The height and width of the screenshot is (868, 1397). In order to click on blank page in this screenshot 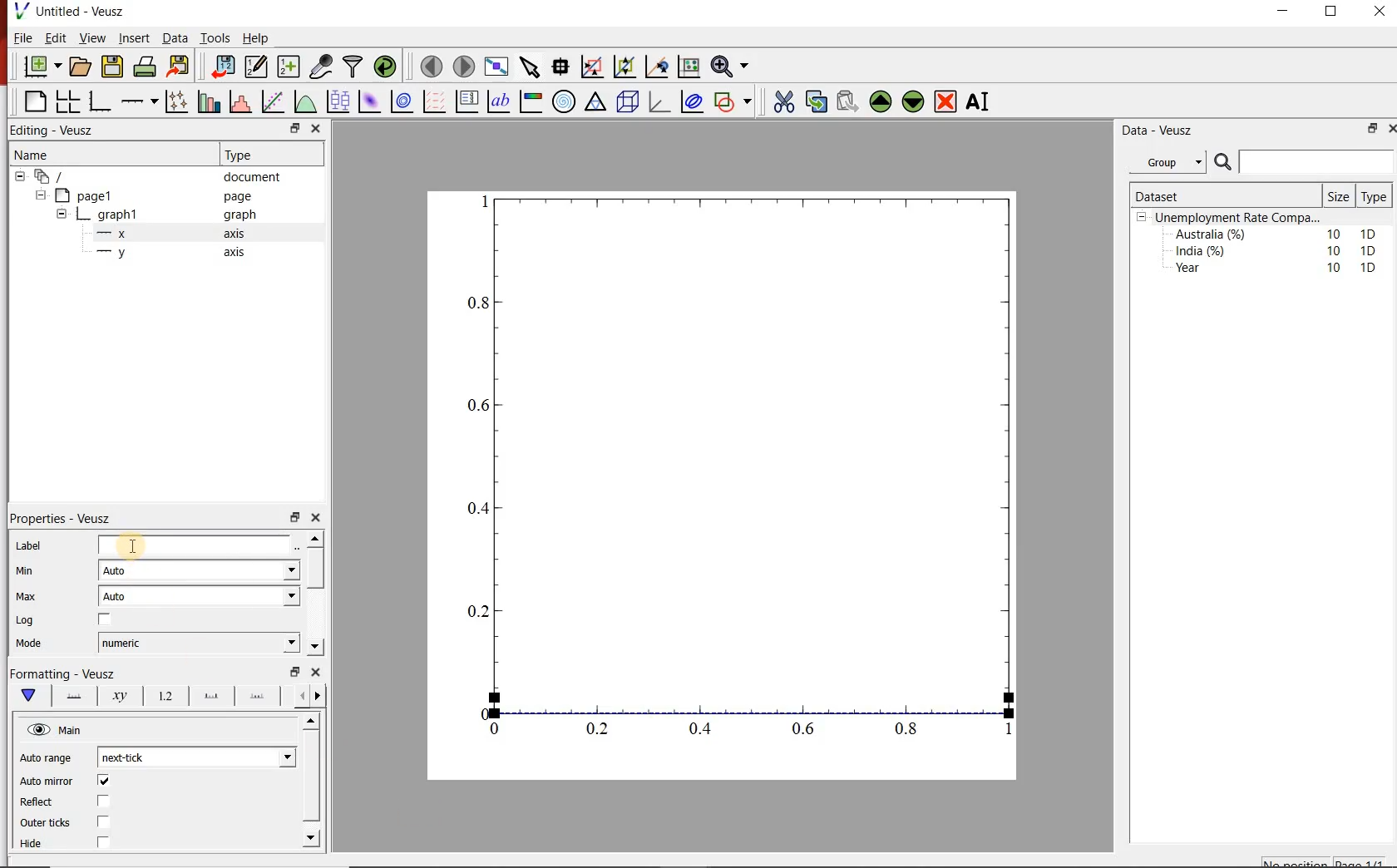, I will do `click(34, 100)`.